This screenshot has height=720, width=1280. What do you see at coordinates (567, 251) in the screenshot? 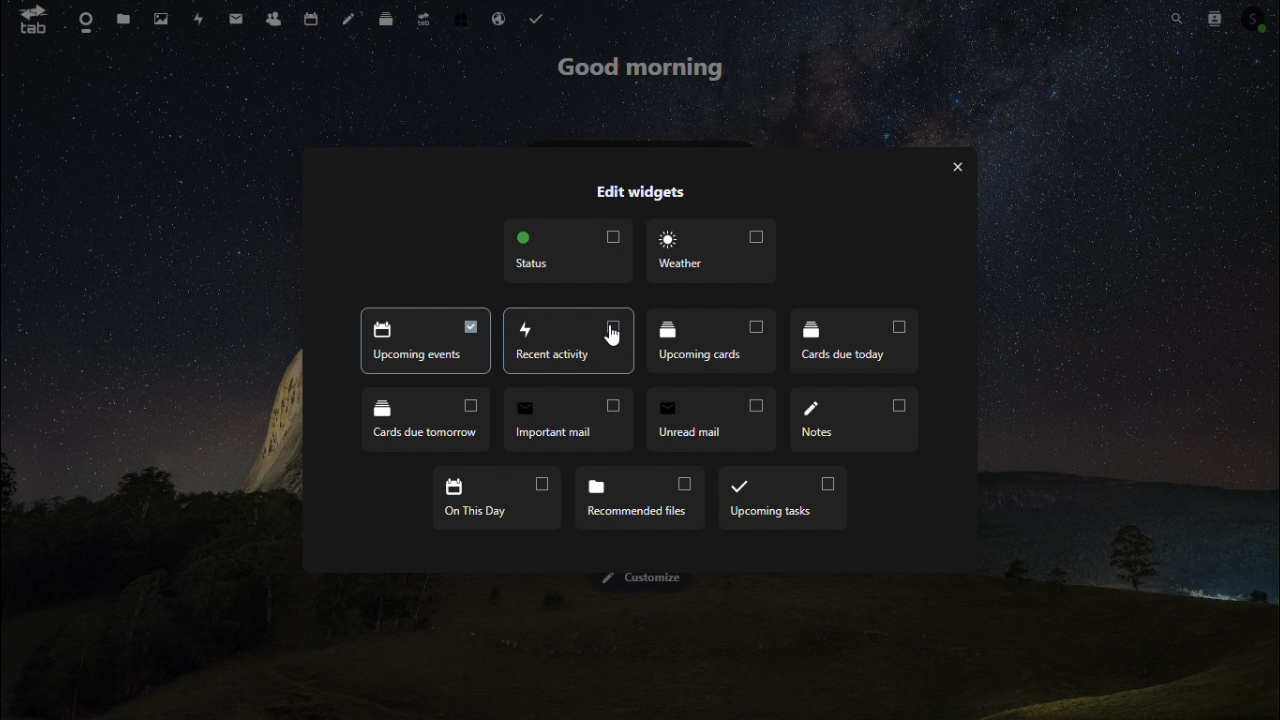
I see `Status` at bounding box center [567, 251].